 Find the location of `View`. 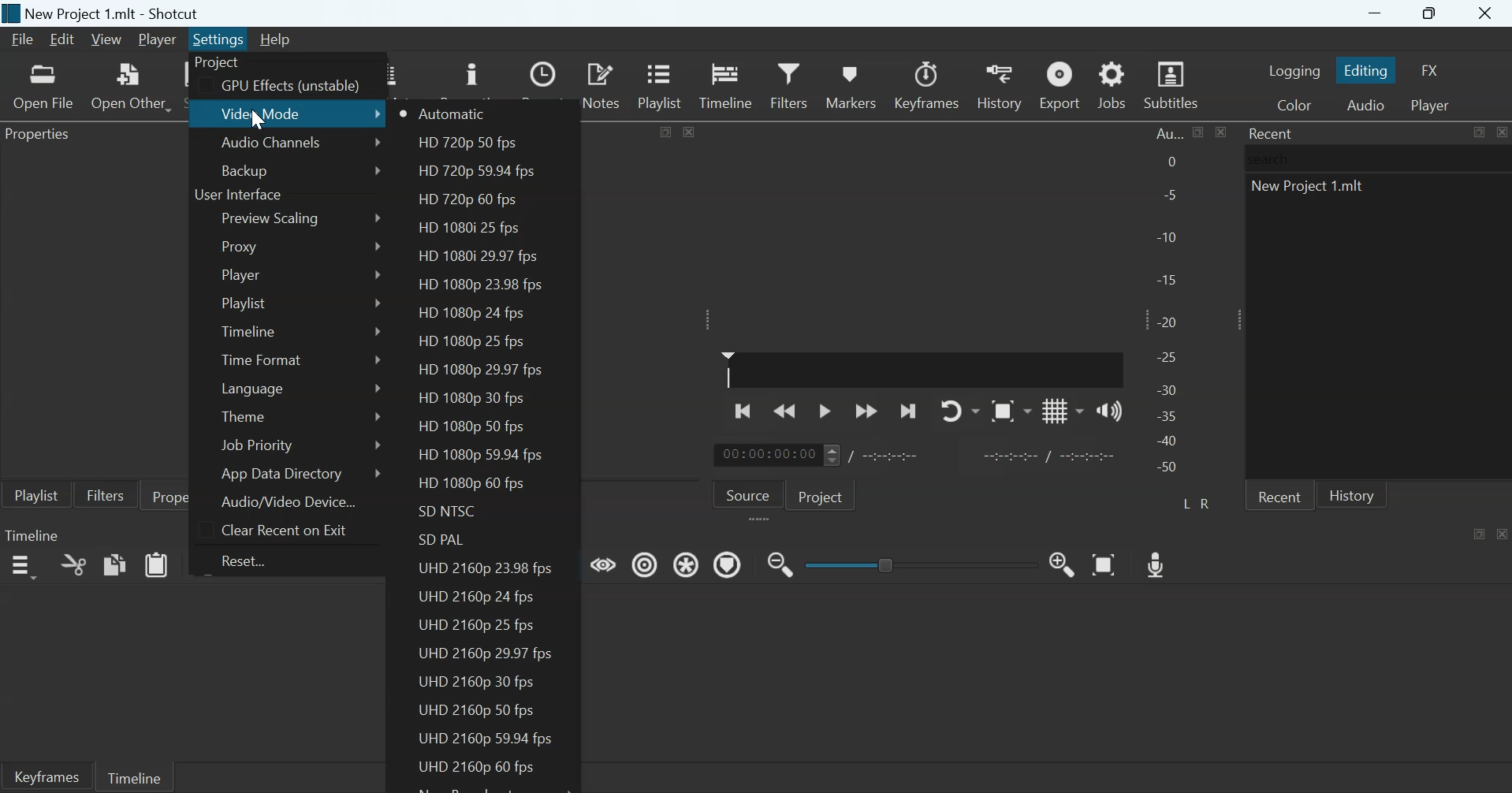

View is located at coordinates (105, 40).